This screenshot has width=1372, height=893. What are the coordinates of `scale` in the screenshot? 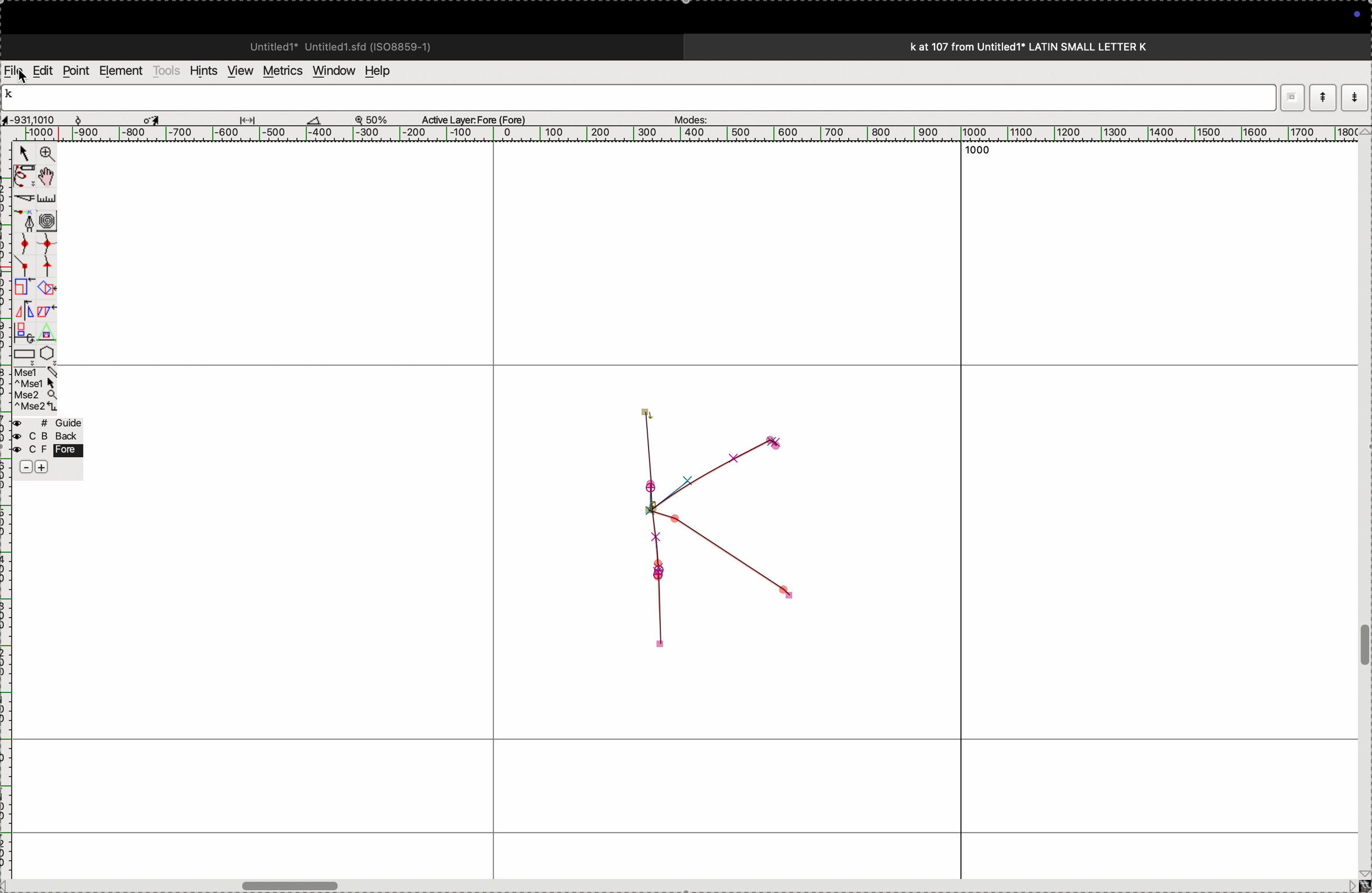 It's located at (49, 198).